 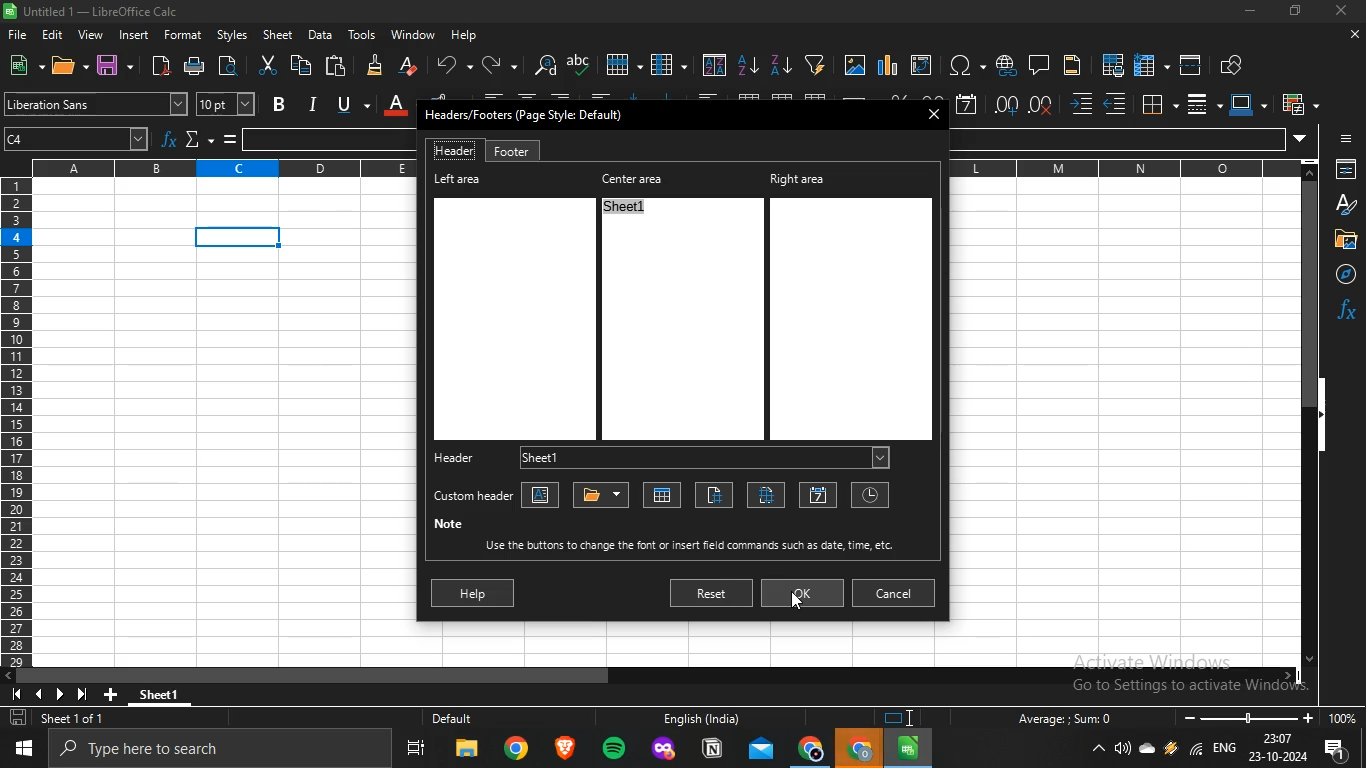 What do you see at coordinates (90, 35) in the screenshot?
I see `view` at bounding box center [90, 35].